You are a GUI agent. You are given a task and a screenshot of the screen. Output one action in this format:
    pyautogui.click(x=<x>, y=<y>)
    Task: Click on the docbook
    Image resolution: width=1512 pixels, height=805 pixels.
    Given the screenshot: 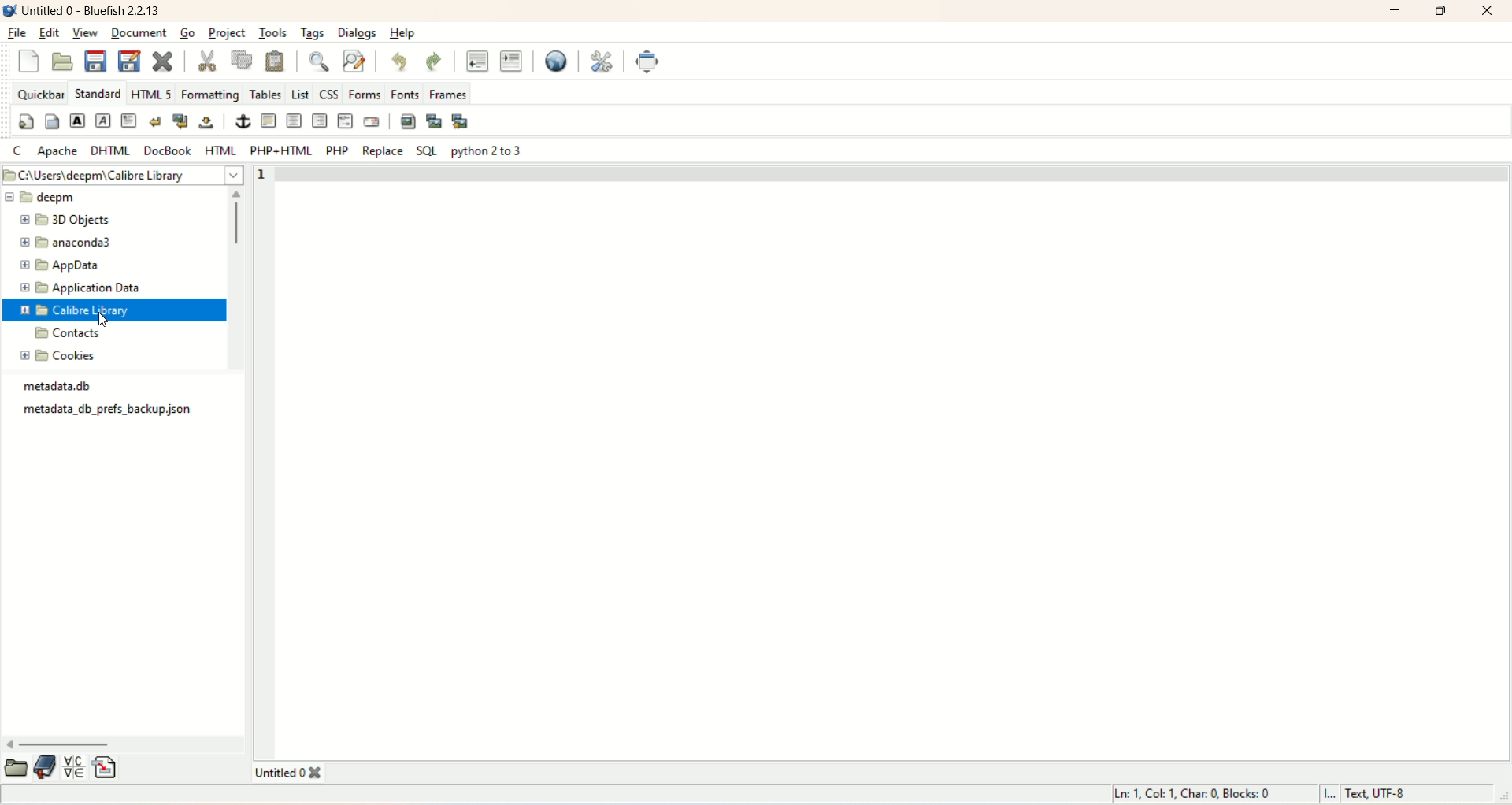 What is the action you would take?
    pyautogui.click(x=168, y=150)
    